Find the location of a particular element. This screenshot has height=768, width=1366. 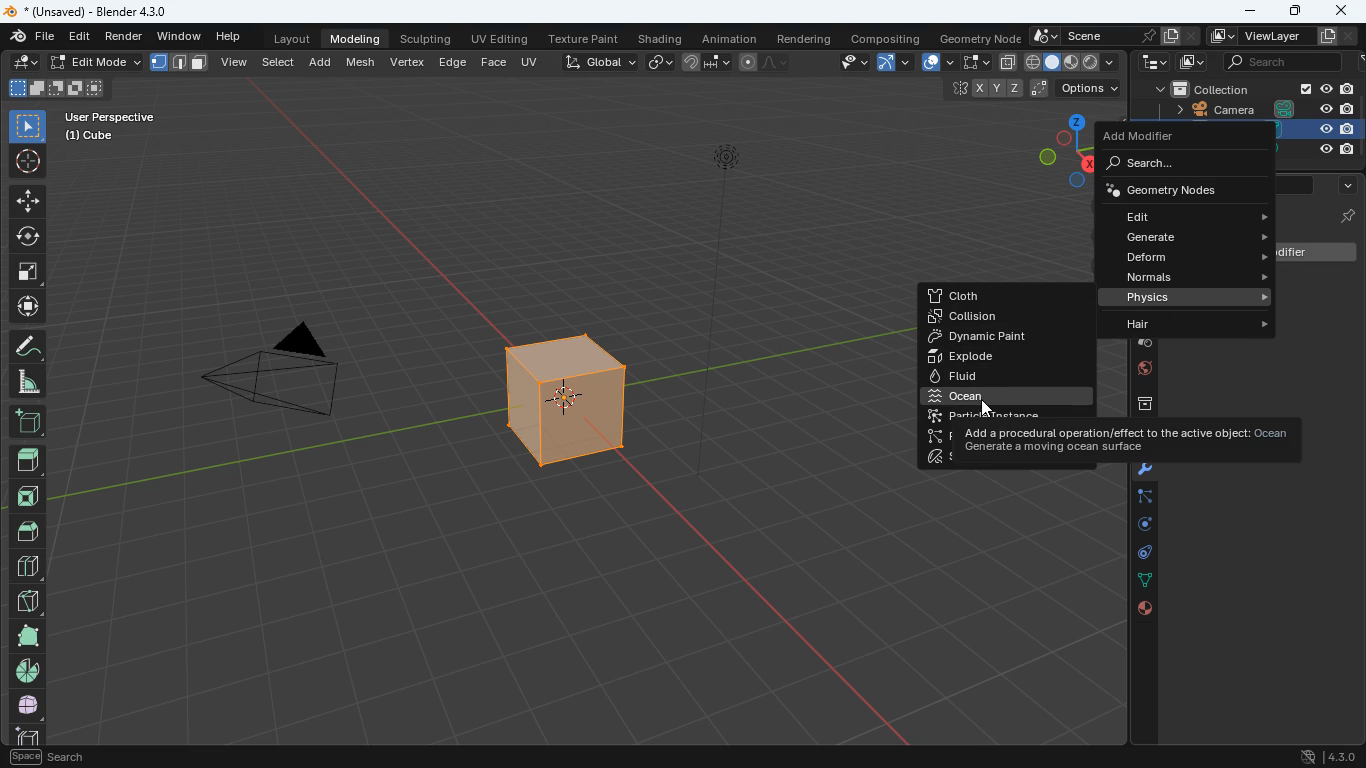

minimize is located at coordinates (1251, 12).